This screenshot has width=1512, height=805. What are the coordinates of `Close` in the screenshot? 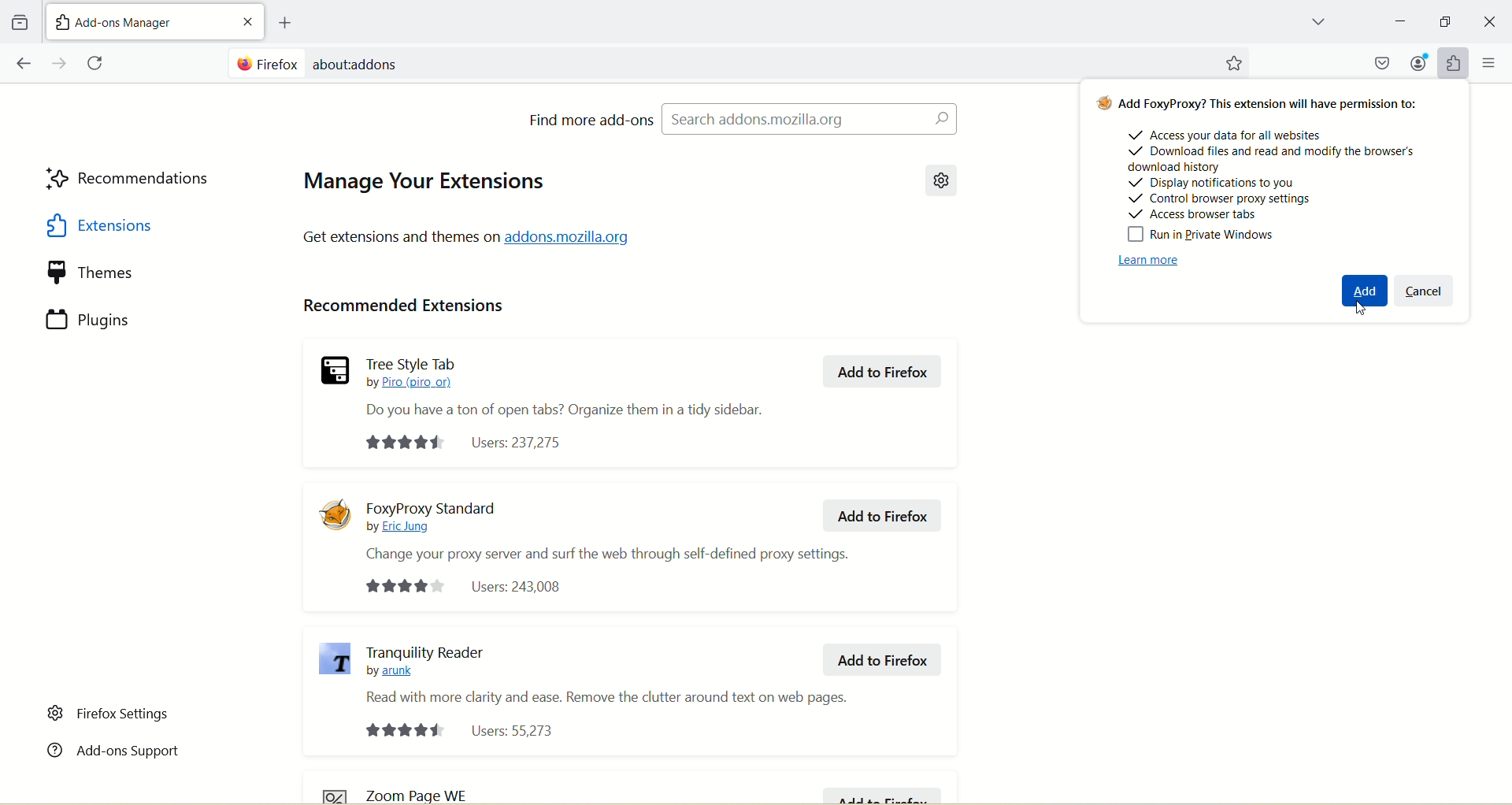 It's located at (1491, 22).